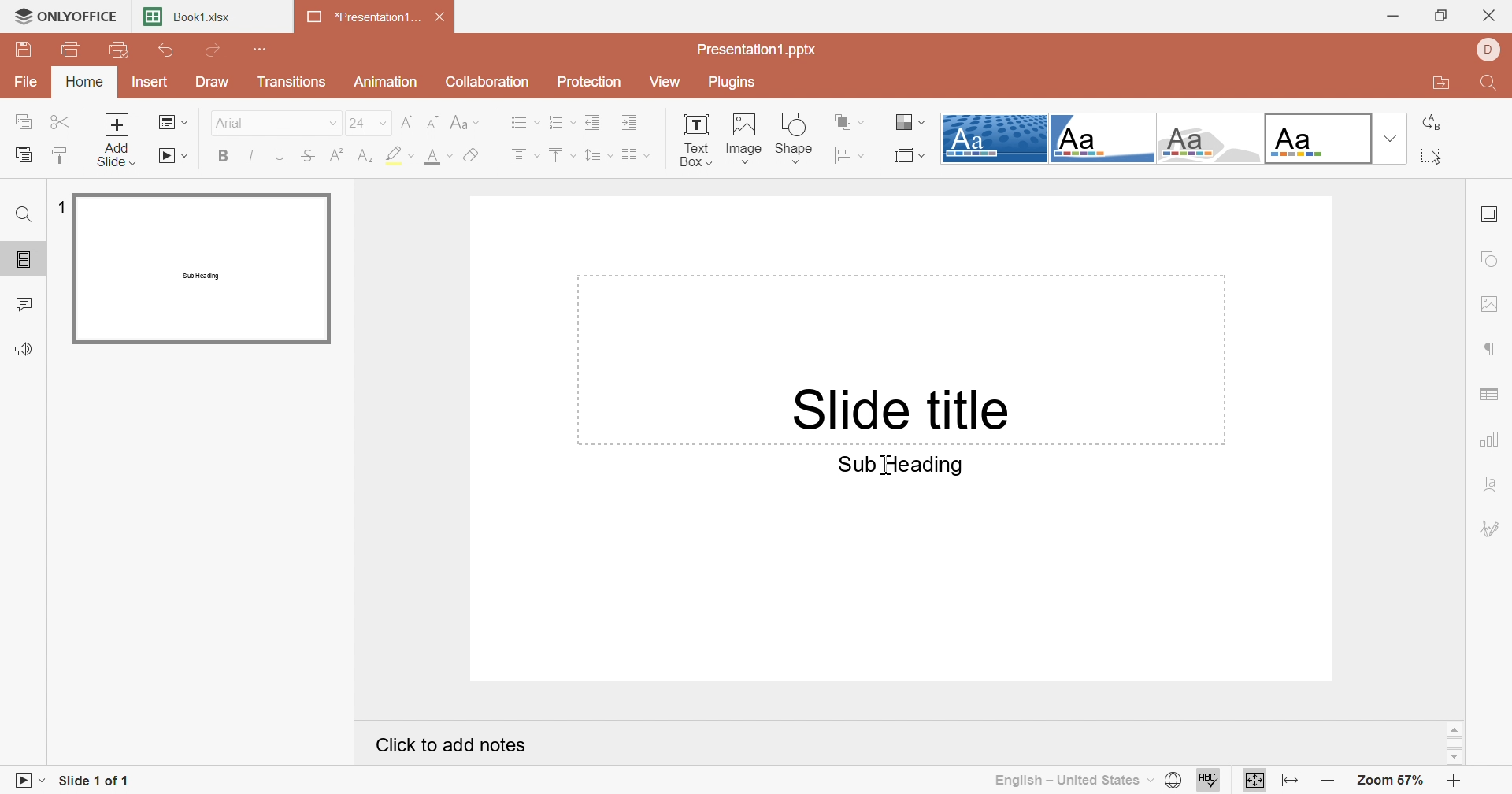  Describe the element at coordinates (1431, 156) in the screenshot. I see `Select all` at that location.